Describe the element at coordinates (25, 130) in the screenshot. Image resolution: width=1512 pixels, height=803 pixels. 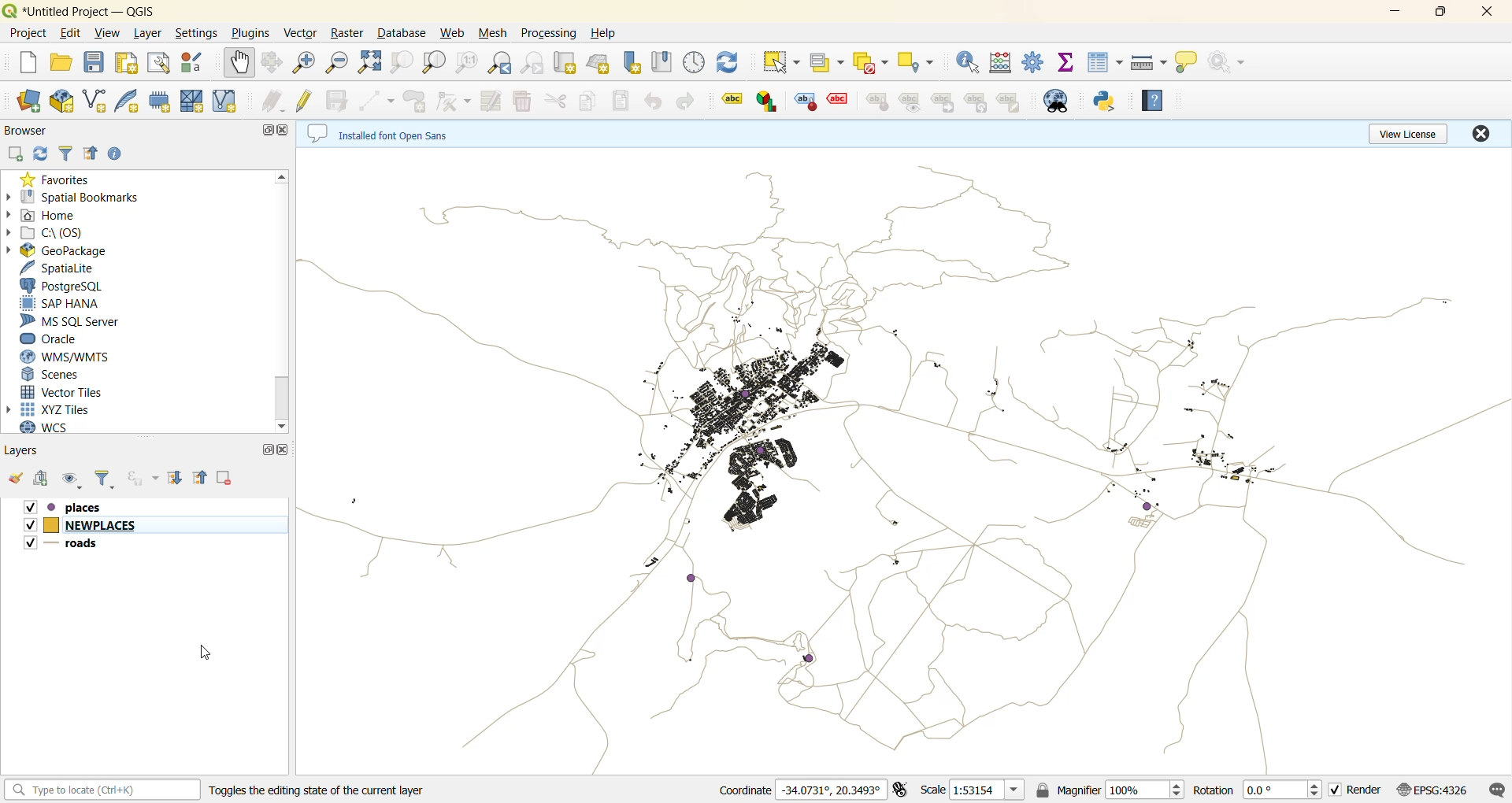
I see `browser` at that location.